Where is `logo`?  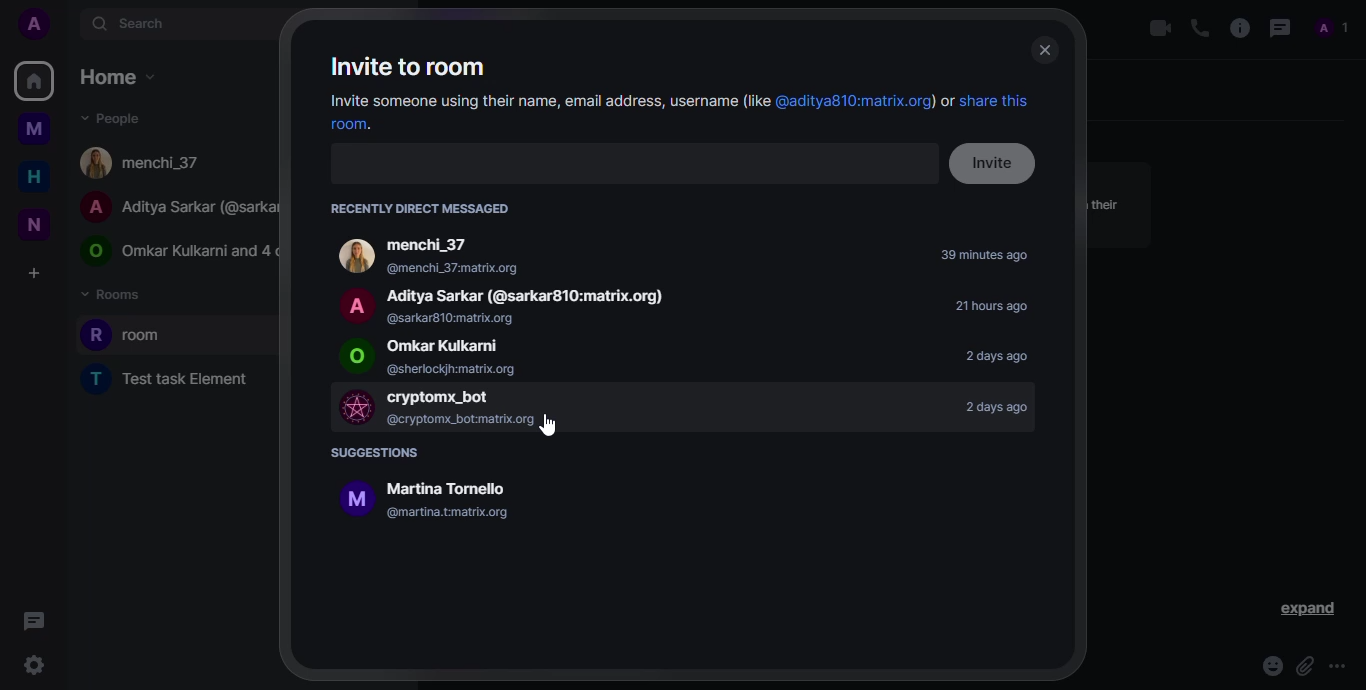
logo is located at coordinates (354, 256).